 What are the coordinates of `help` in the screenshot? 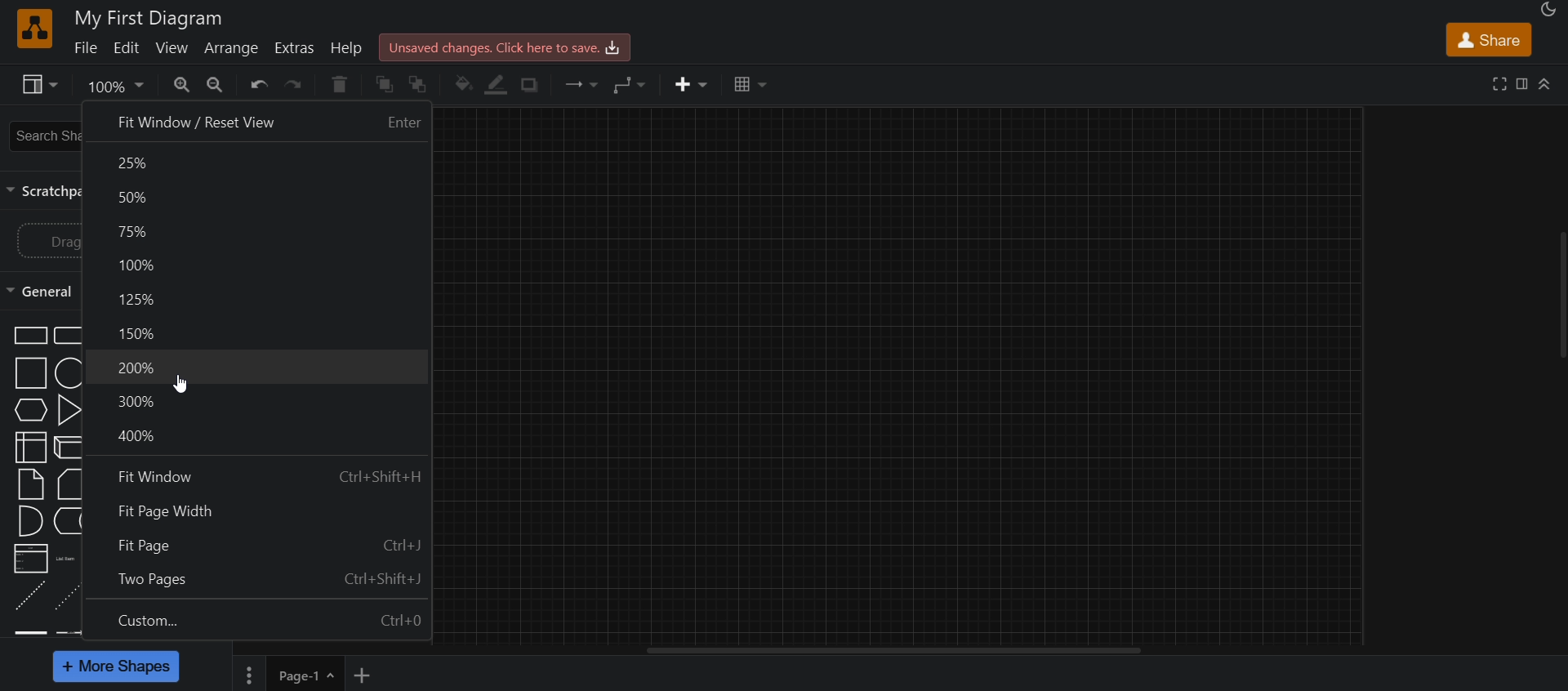 It's located at (348, 50).